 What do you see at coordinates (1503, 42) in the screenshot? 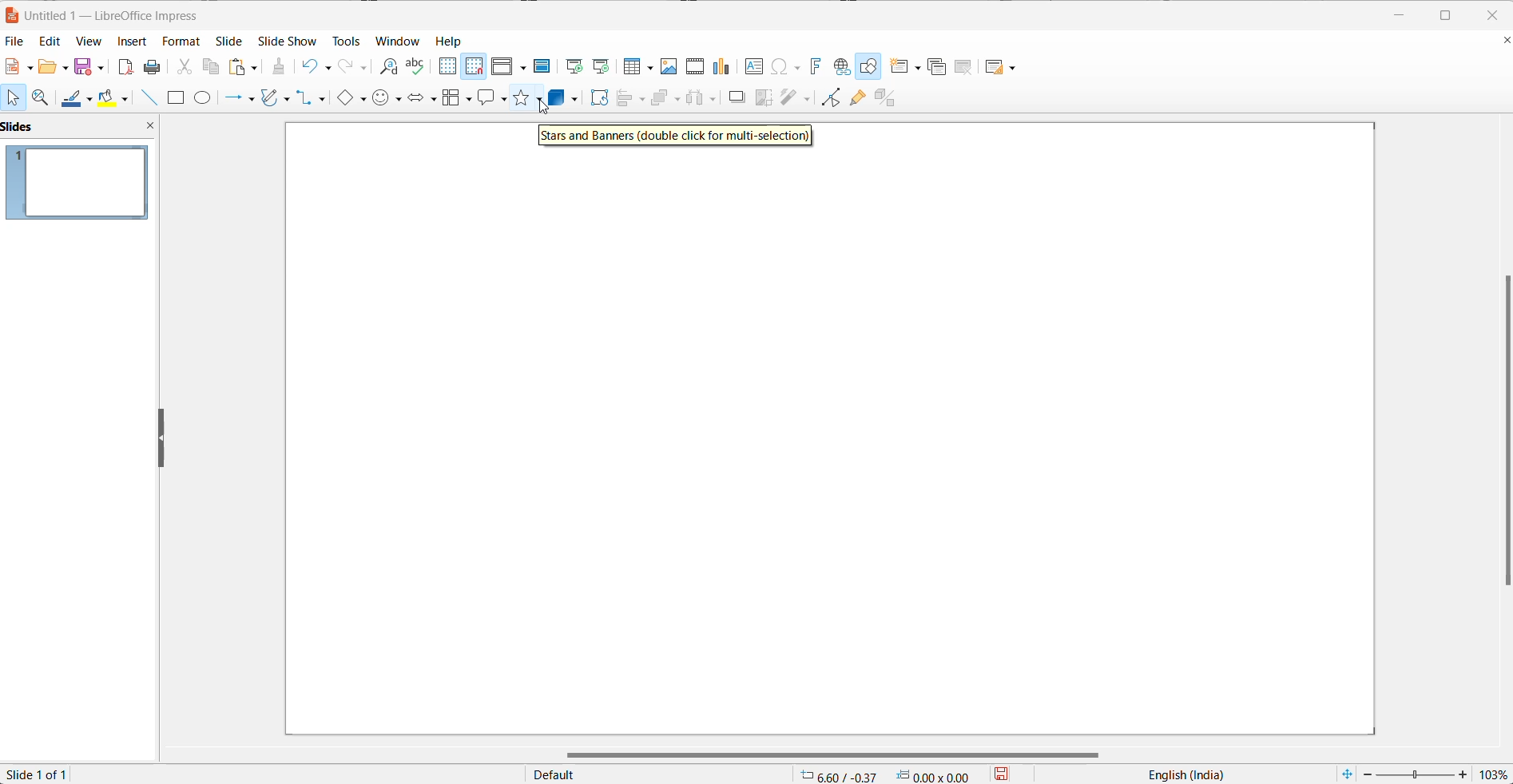
I see `close document` at bounding box center [1503, 42].